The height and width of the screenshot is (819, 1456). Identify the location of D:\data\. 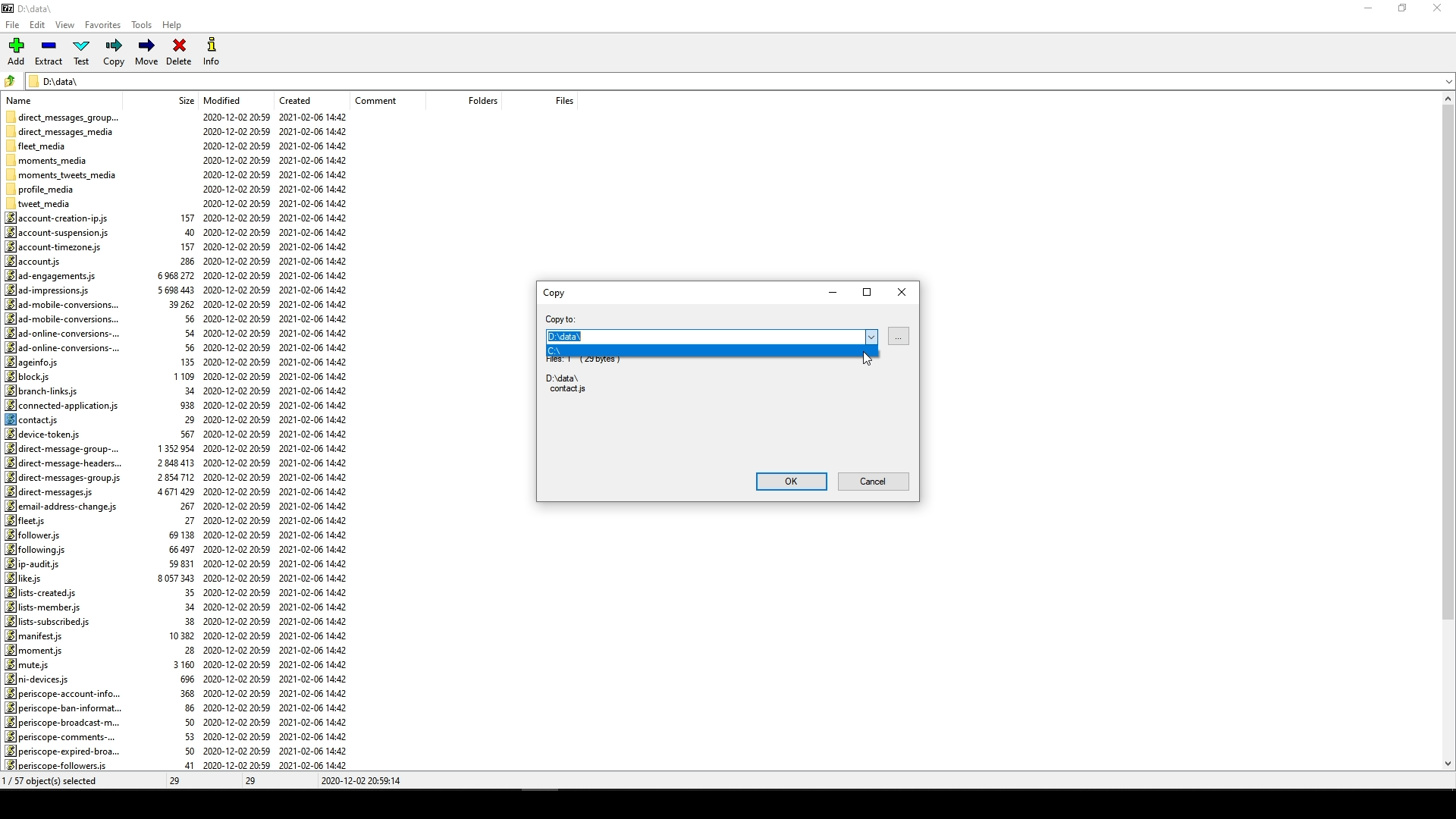
(58, 80).